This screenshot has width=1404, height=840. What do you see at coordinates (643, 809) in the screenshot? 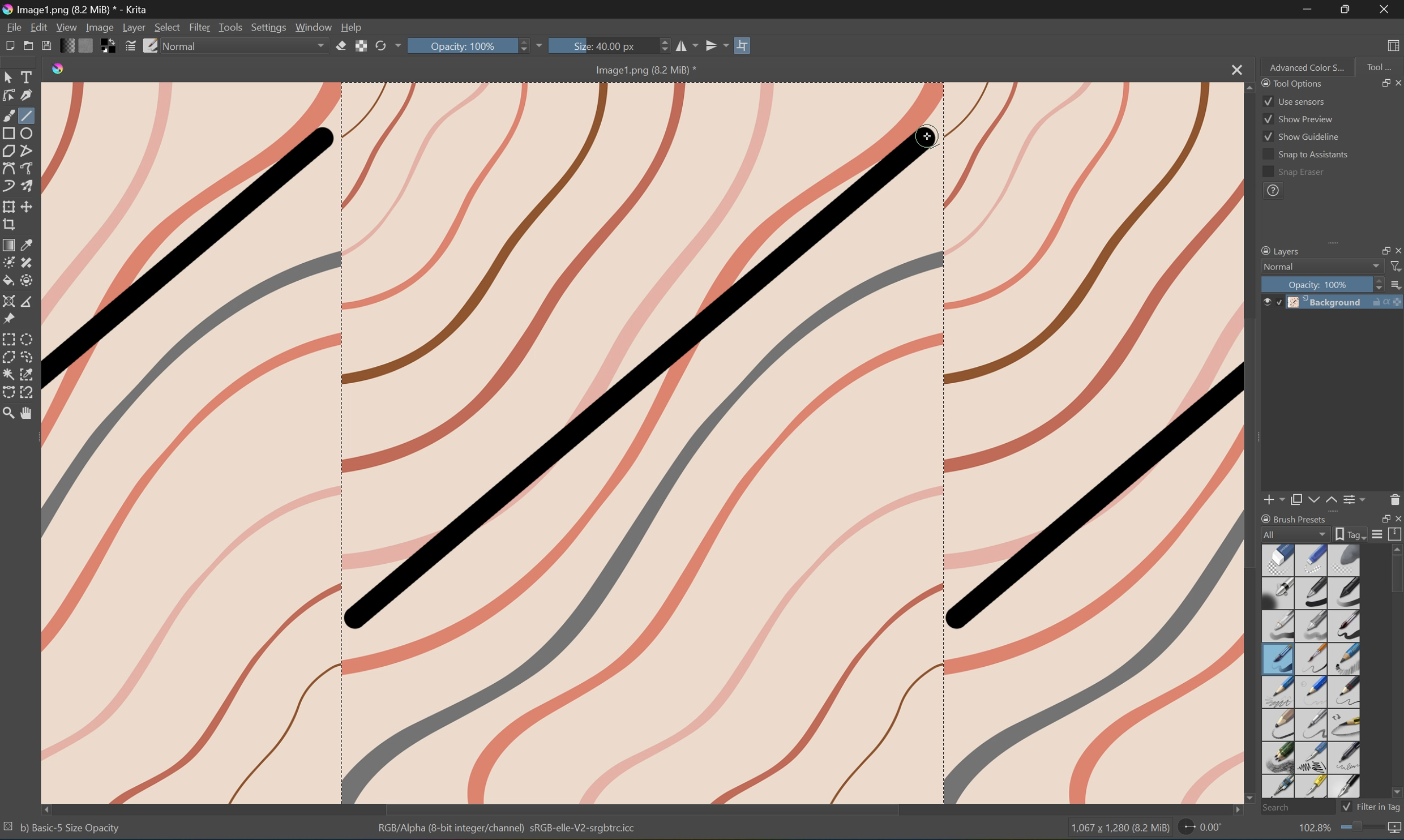
I see `Scroll Bar` at bounding box center [643, 809].